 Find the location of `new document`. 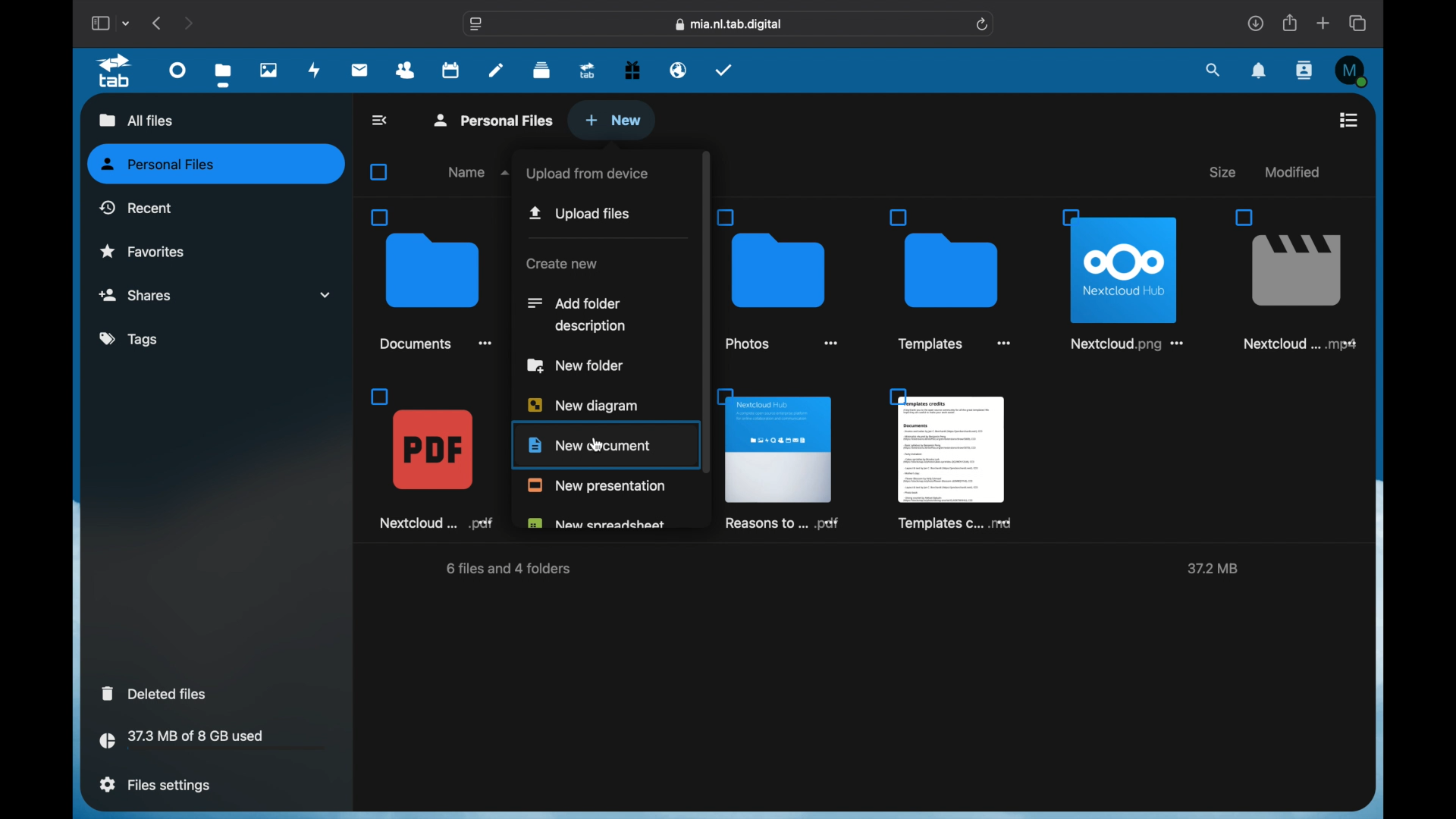

new document is located at coordinates (588, 446).